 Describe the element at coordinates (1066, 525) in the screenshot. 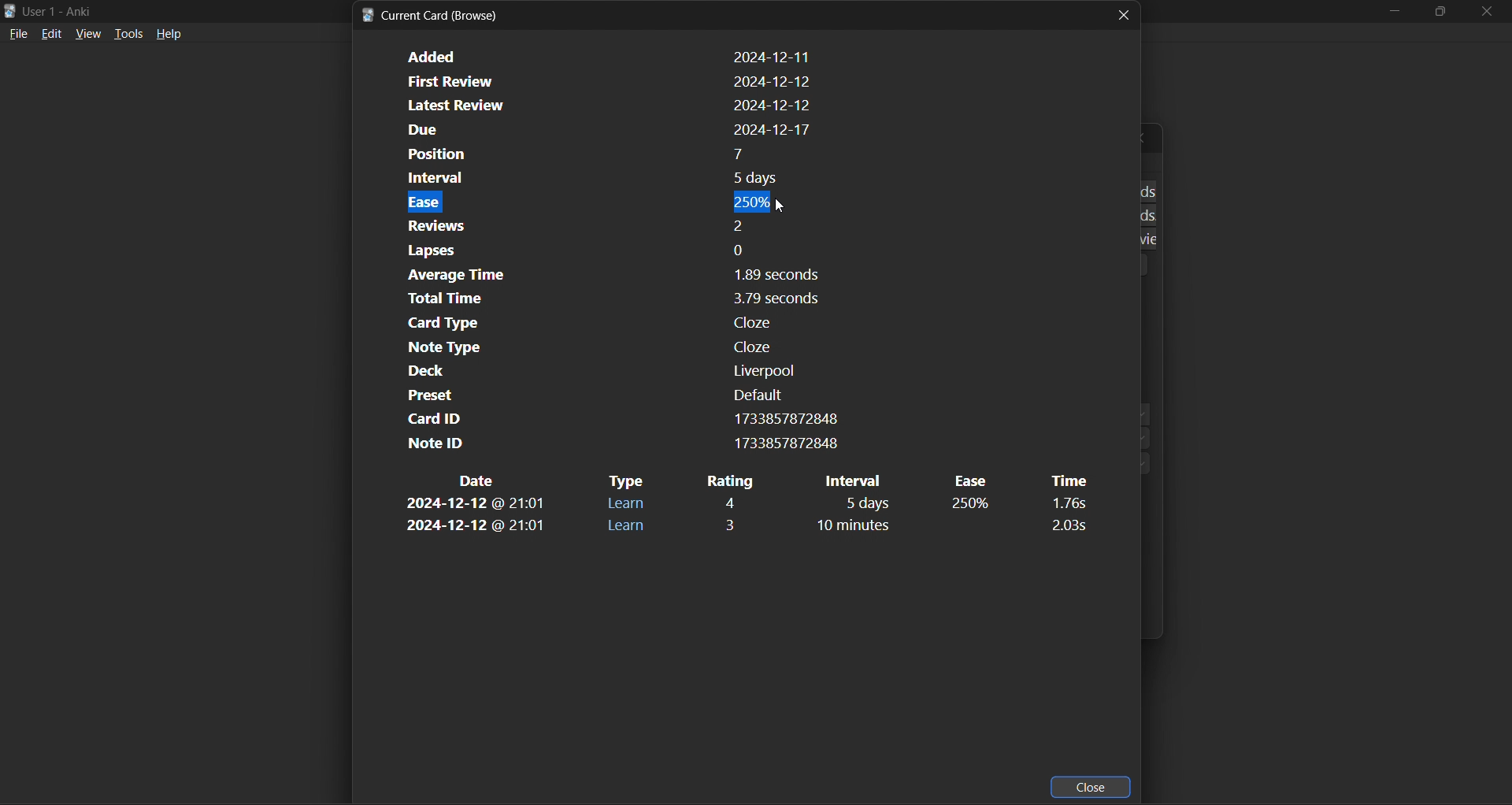

I see `time` at that location.